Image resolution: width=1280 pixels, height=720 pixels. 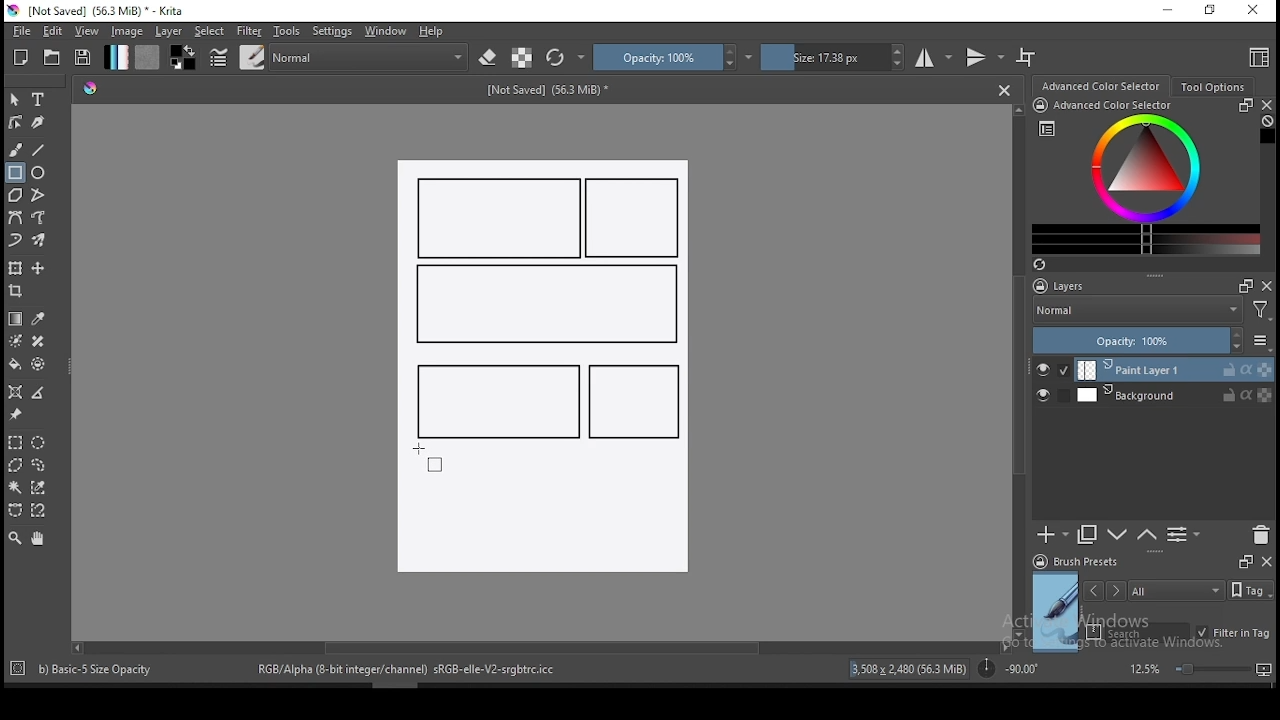 What do you see at coordinates (1200, 668) in the screenshot?
I see `zoom level` at bounding box center [1200, 668].